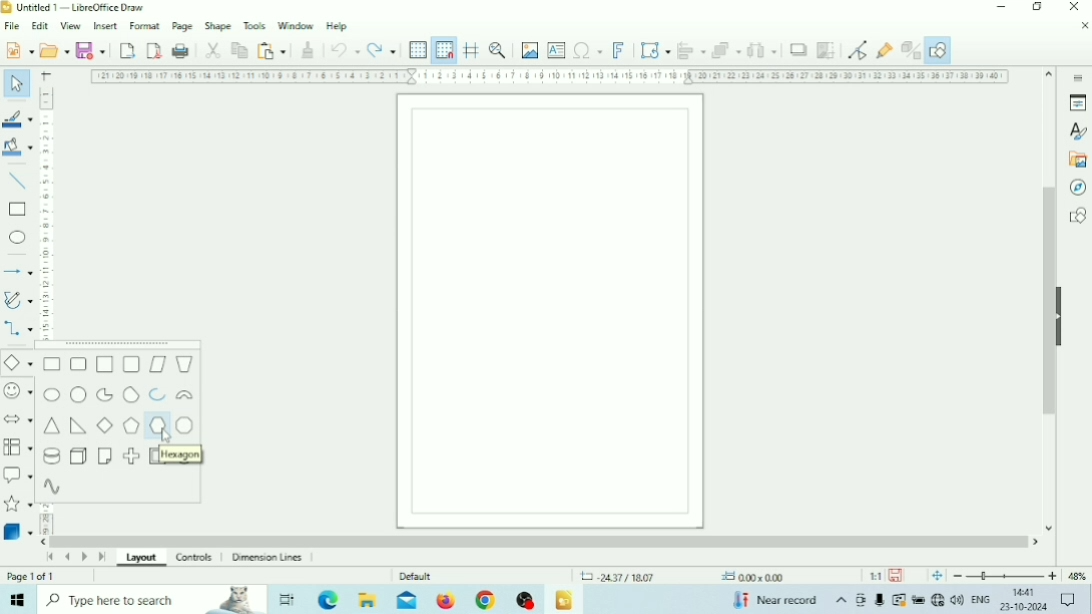  What do you see at coordinates (296, 25) in the screenshot?
I see `Window` at bounding box center [296, 25].